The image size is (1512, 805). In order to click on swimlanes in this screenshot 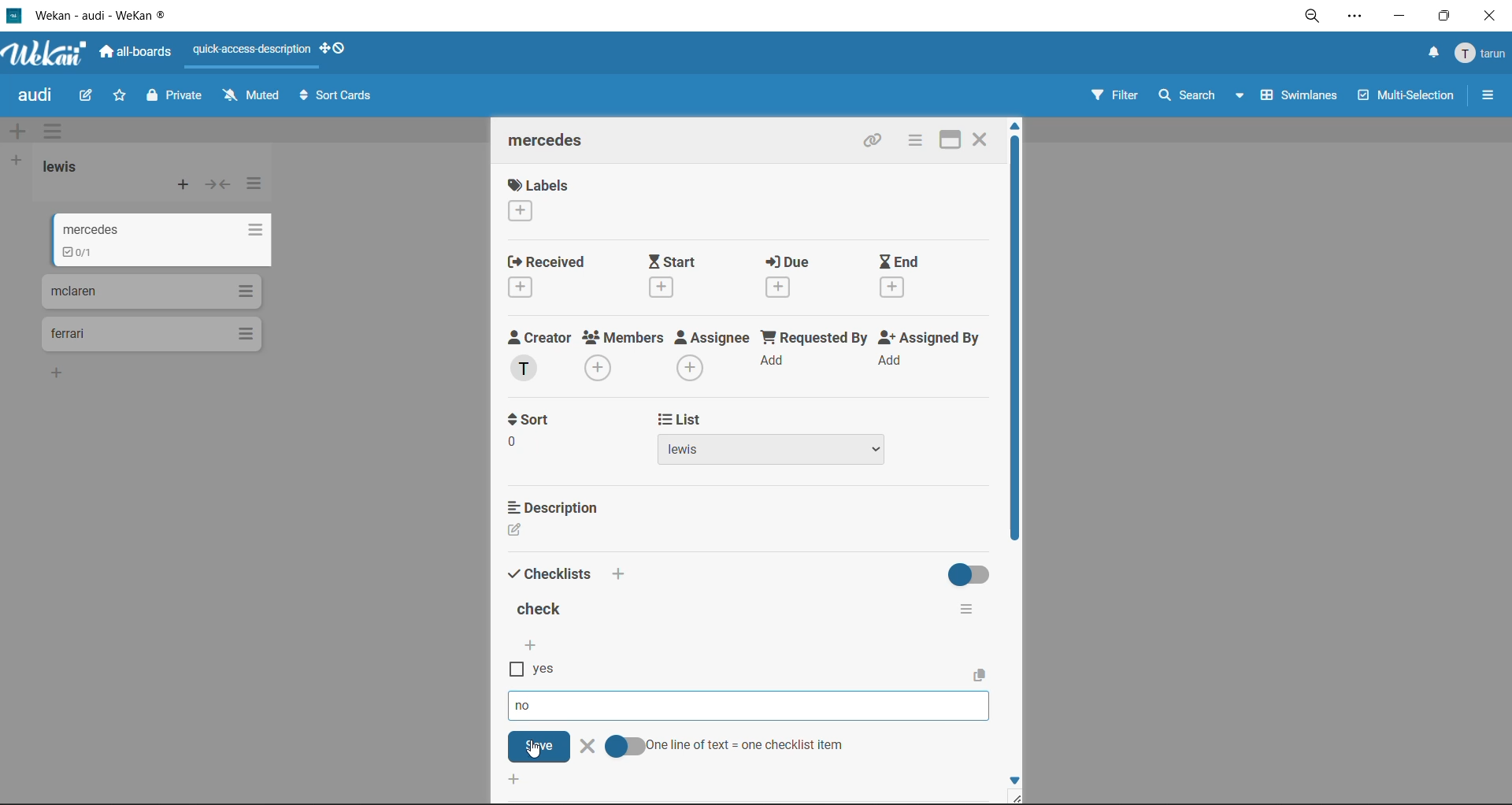, I will do `click(1302, 98)`.